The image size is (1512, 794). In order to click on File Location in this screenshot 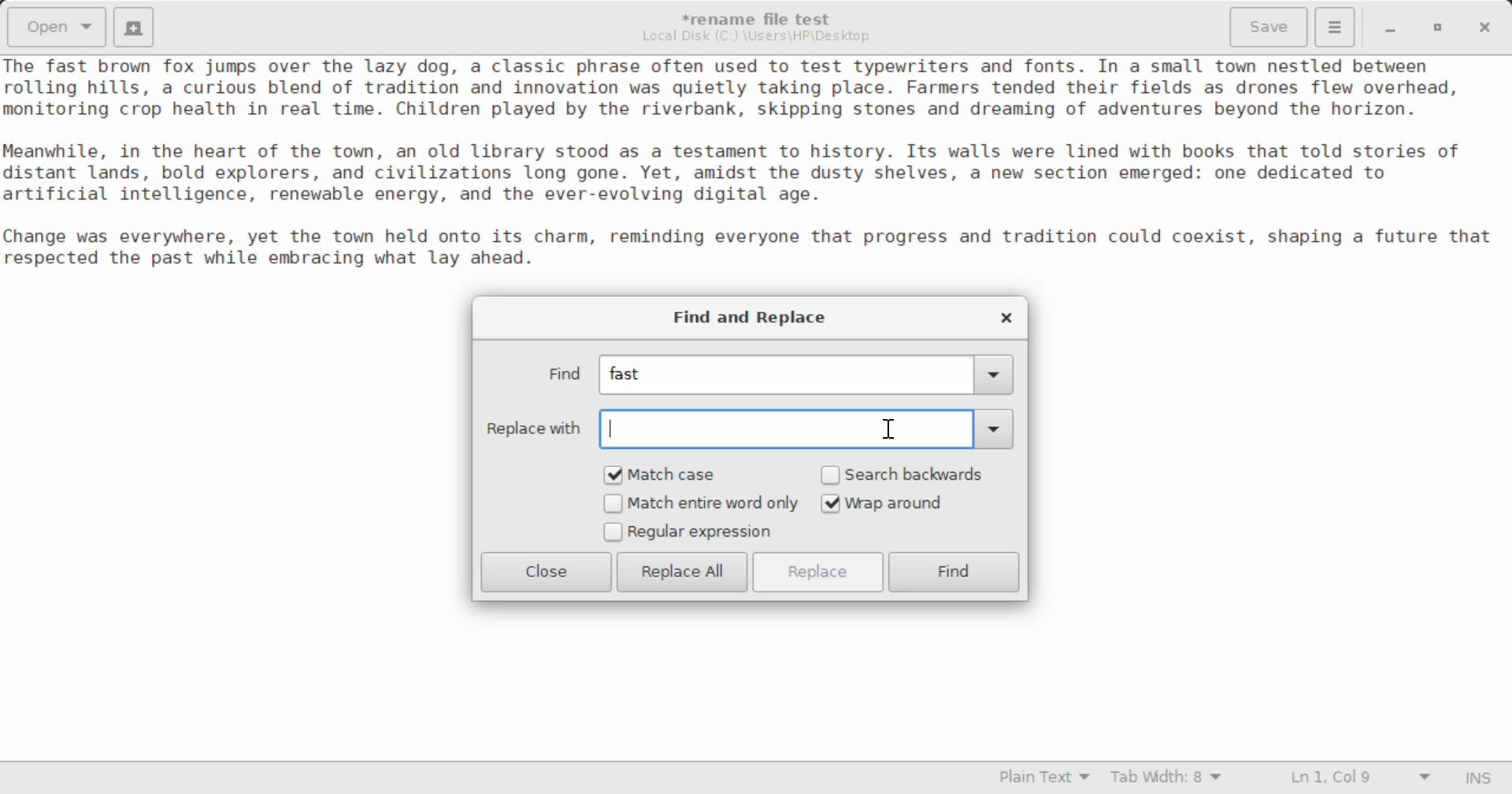, I will do `click(760, 38)`.